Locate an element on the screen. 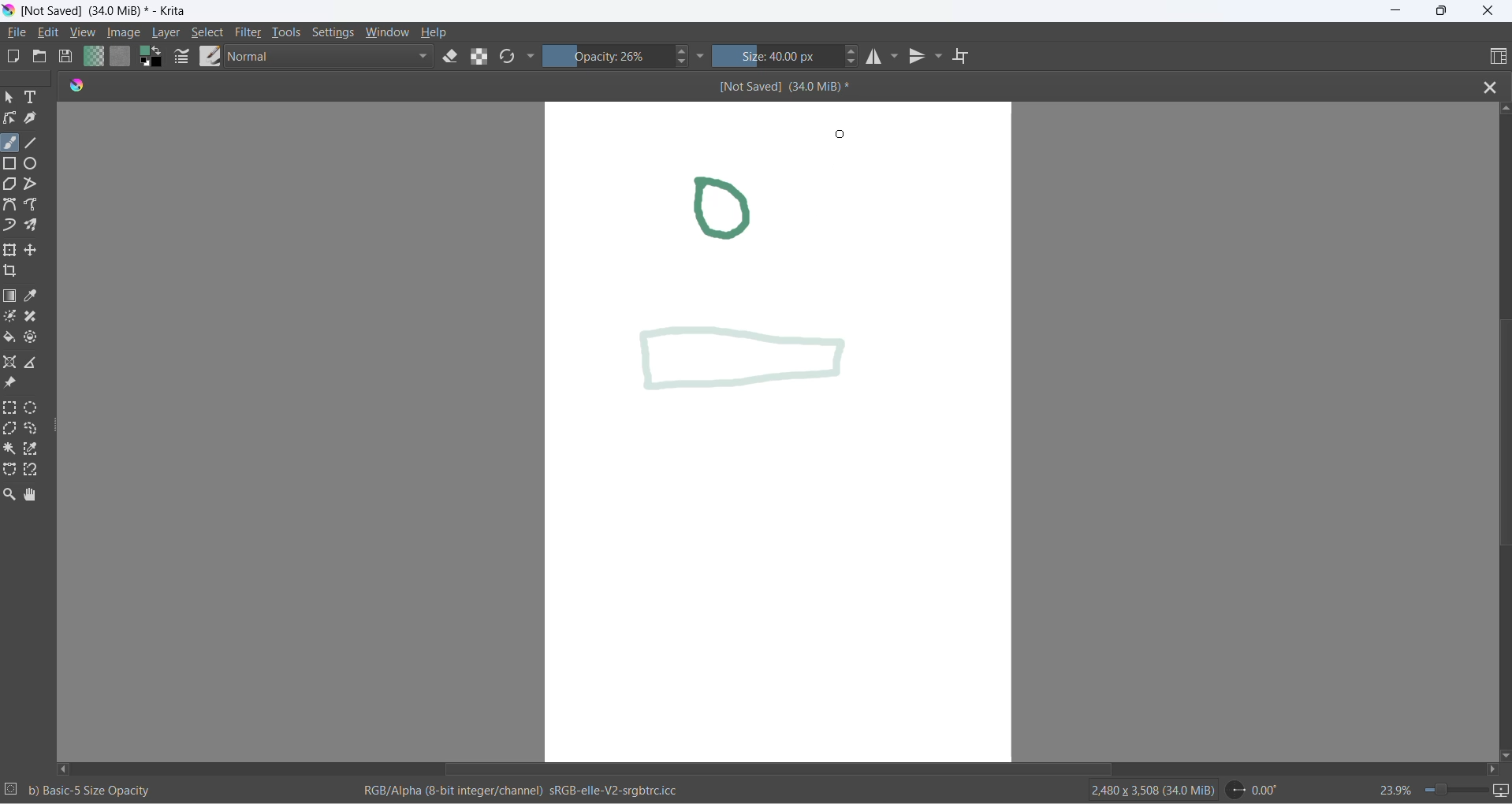 This screenshot has width=1512, height=804. move a layer is located at coordinates (35, 248).